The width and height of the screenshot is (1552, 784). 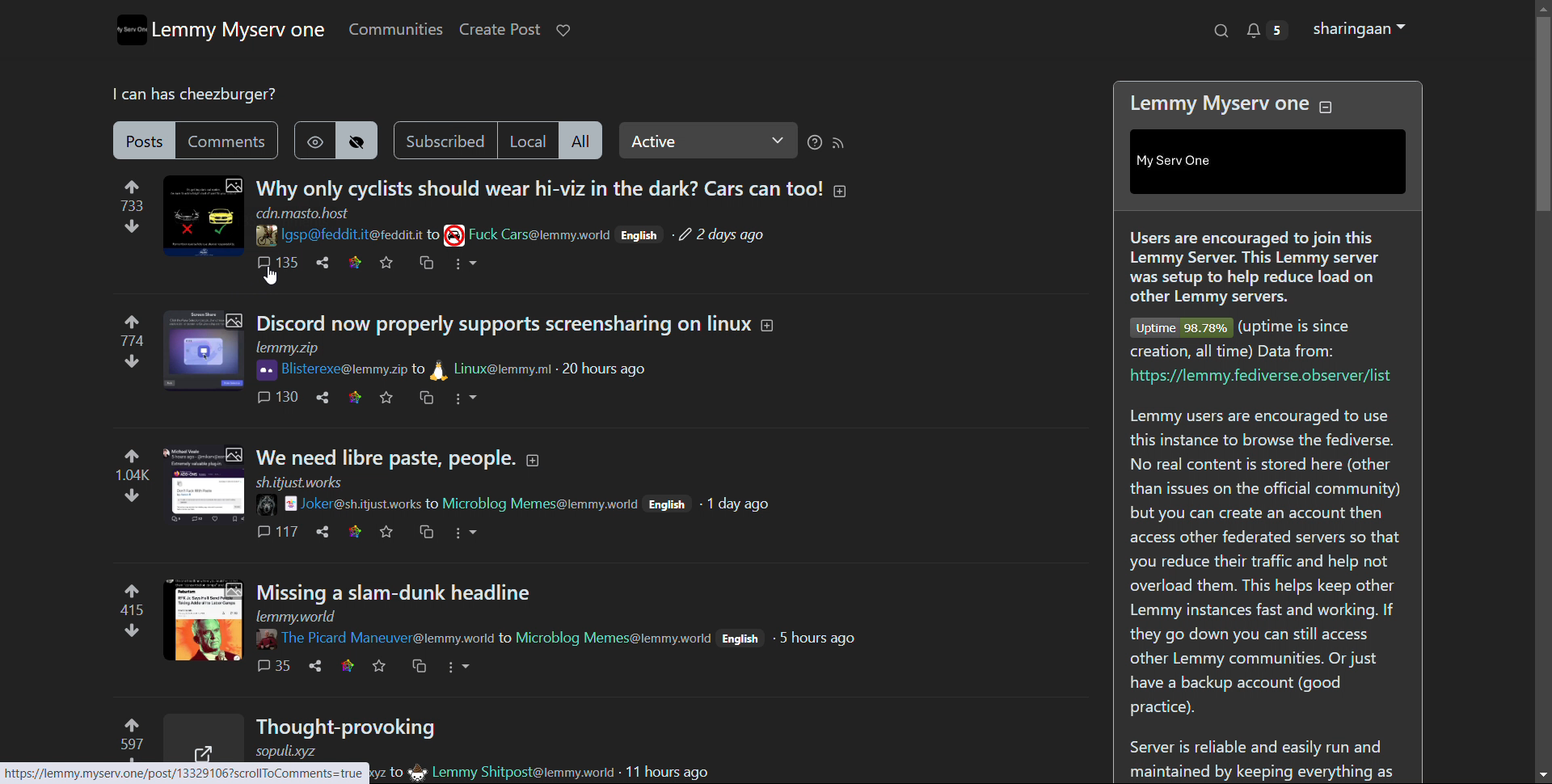 What do you see at coordinates (541, 235) in the screenshot?
I see `community` at bounding box center [541, 235].